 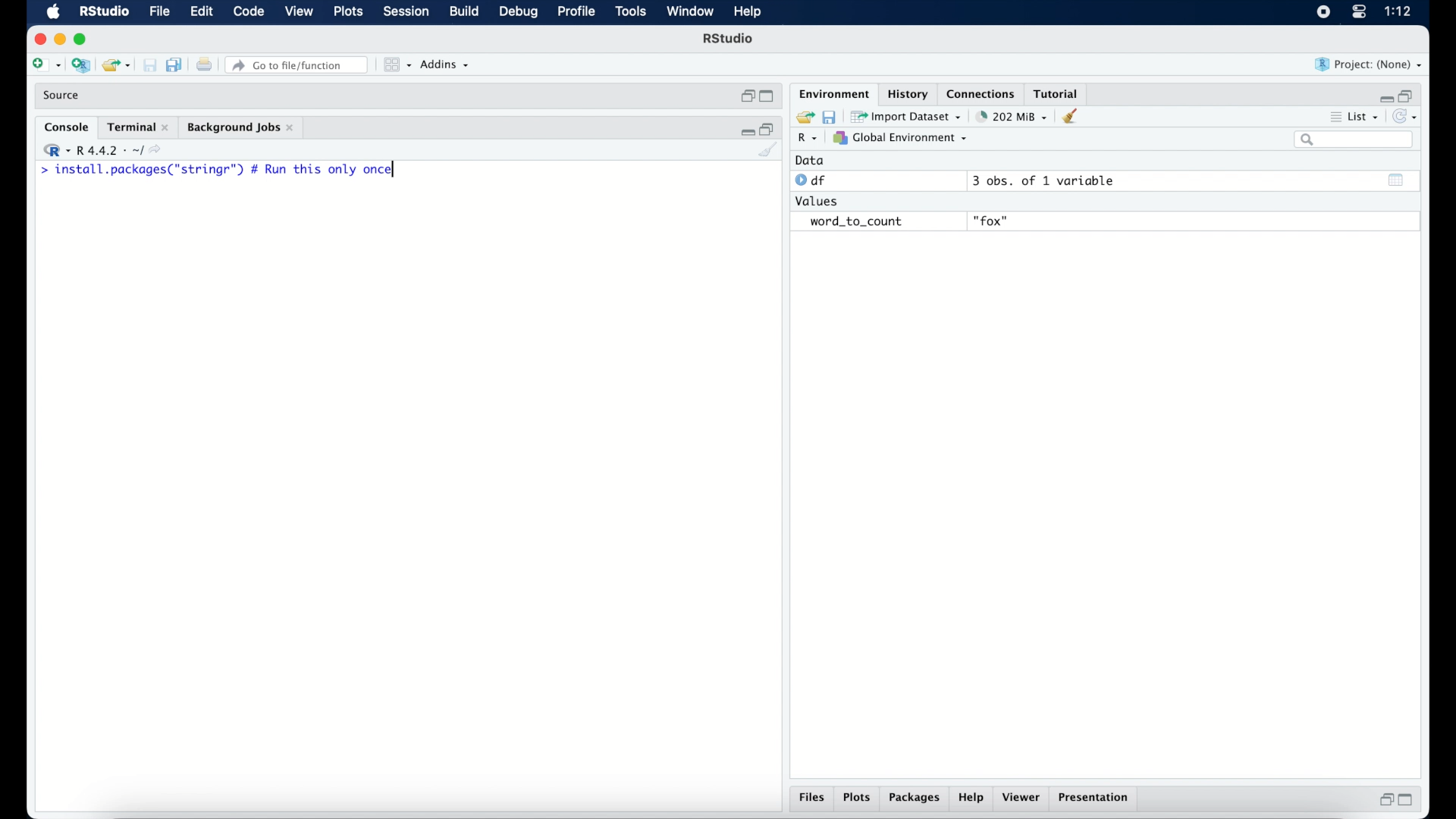 What do you see at coordinates (83, 39) in the screenshot?
I see `maximize` at bounding box center [83, 39].